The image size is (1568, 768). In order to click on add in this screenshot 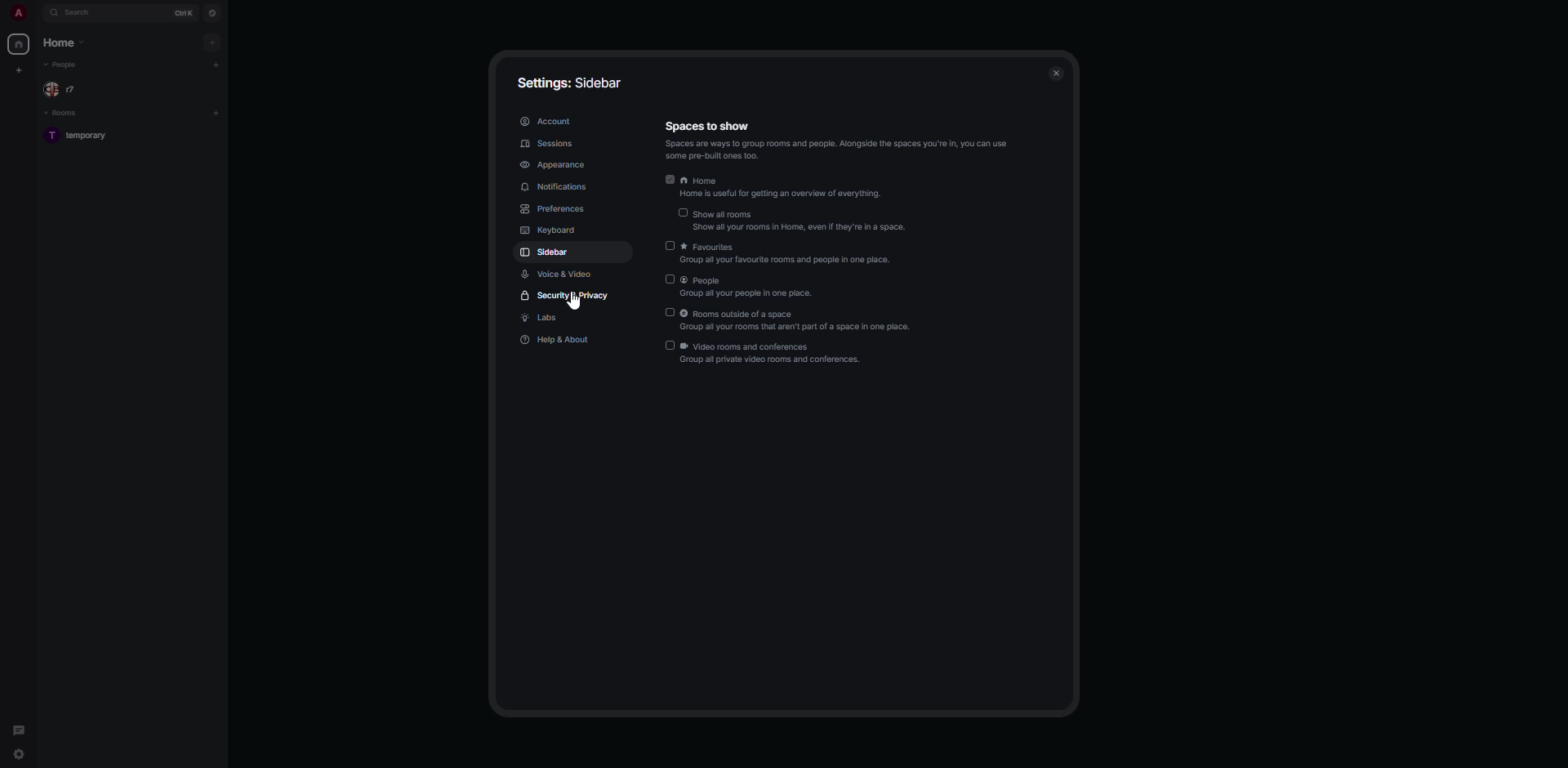, I will do `click(216, 111)`.